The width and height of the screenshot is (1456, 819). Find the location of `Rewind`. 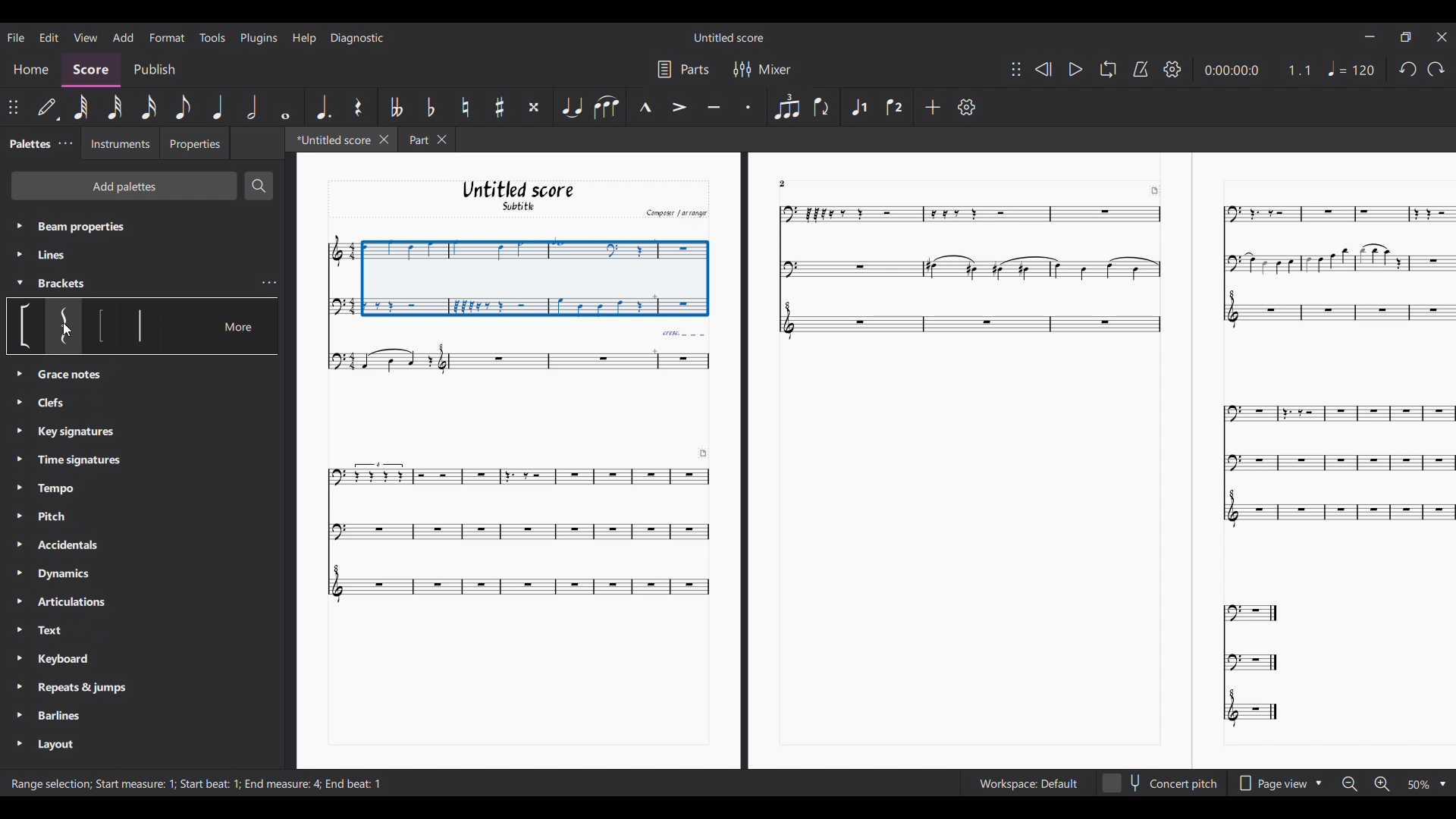

Rewind is located at coordinates (1043, 69).